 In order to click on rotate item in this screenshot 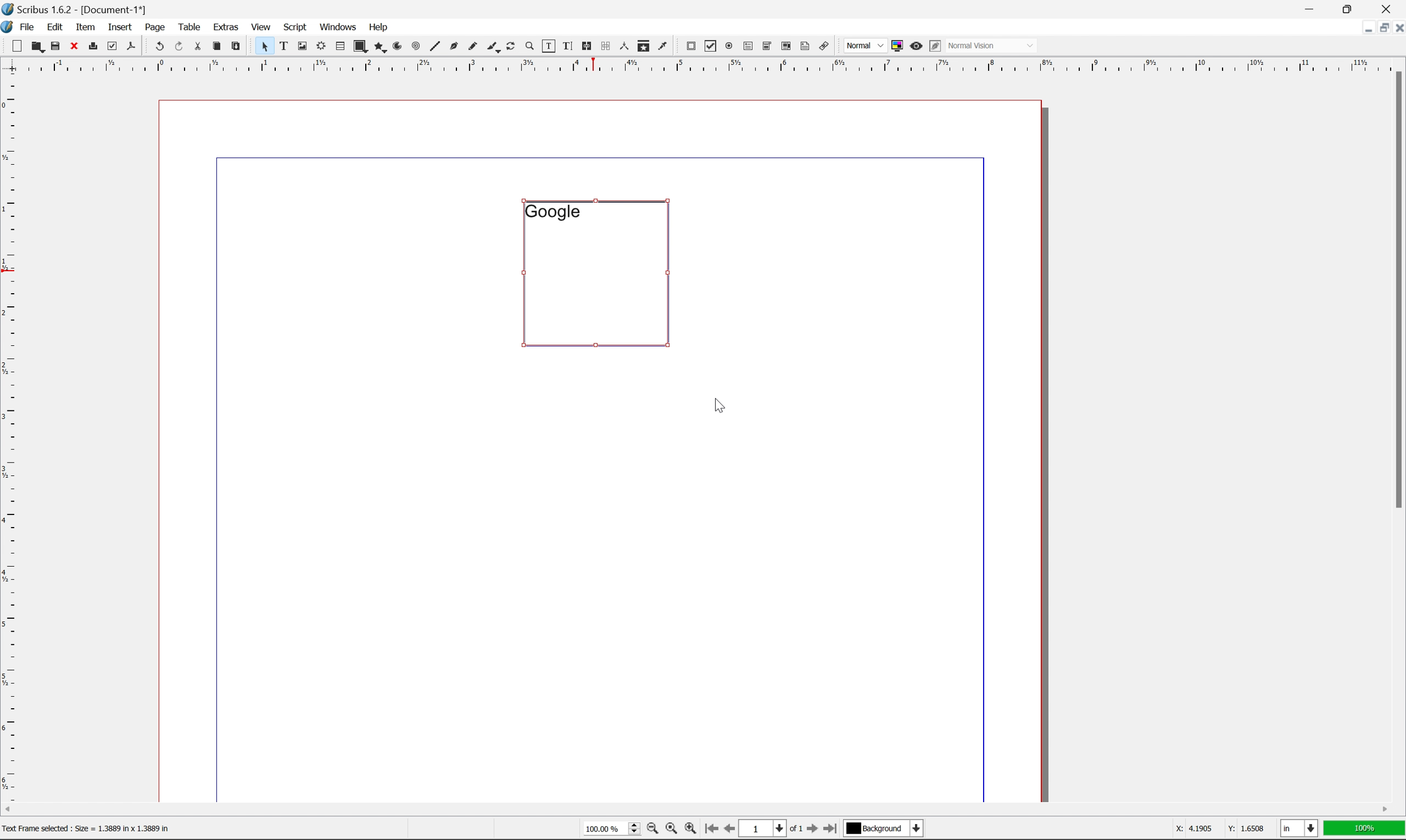, I will do `click(511, 47)`.